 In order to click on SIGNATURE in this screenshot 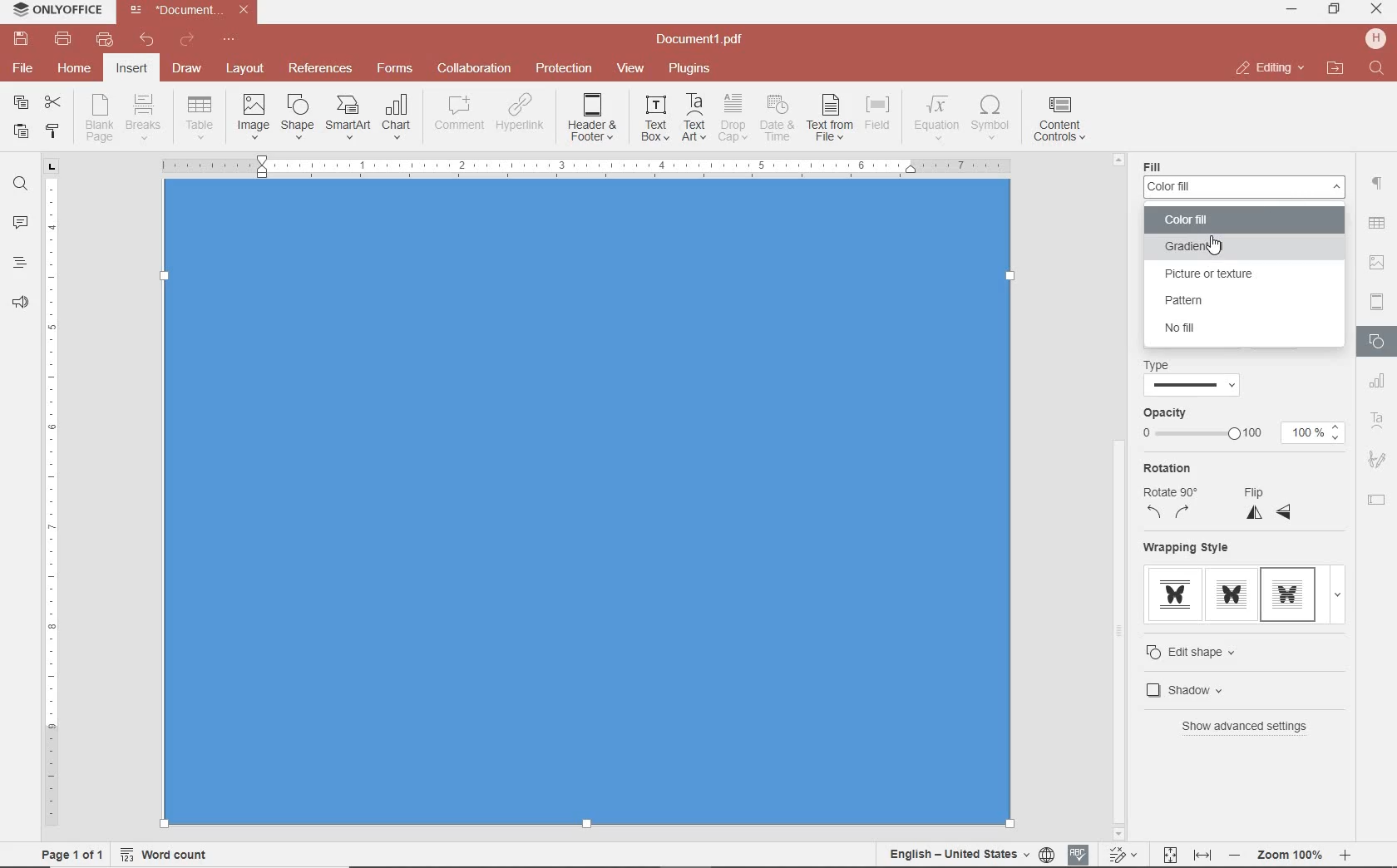, I will do `click(1377, 461)`.